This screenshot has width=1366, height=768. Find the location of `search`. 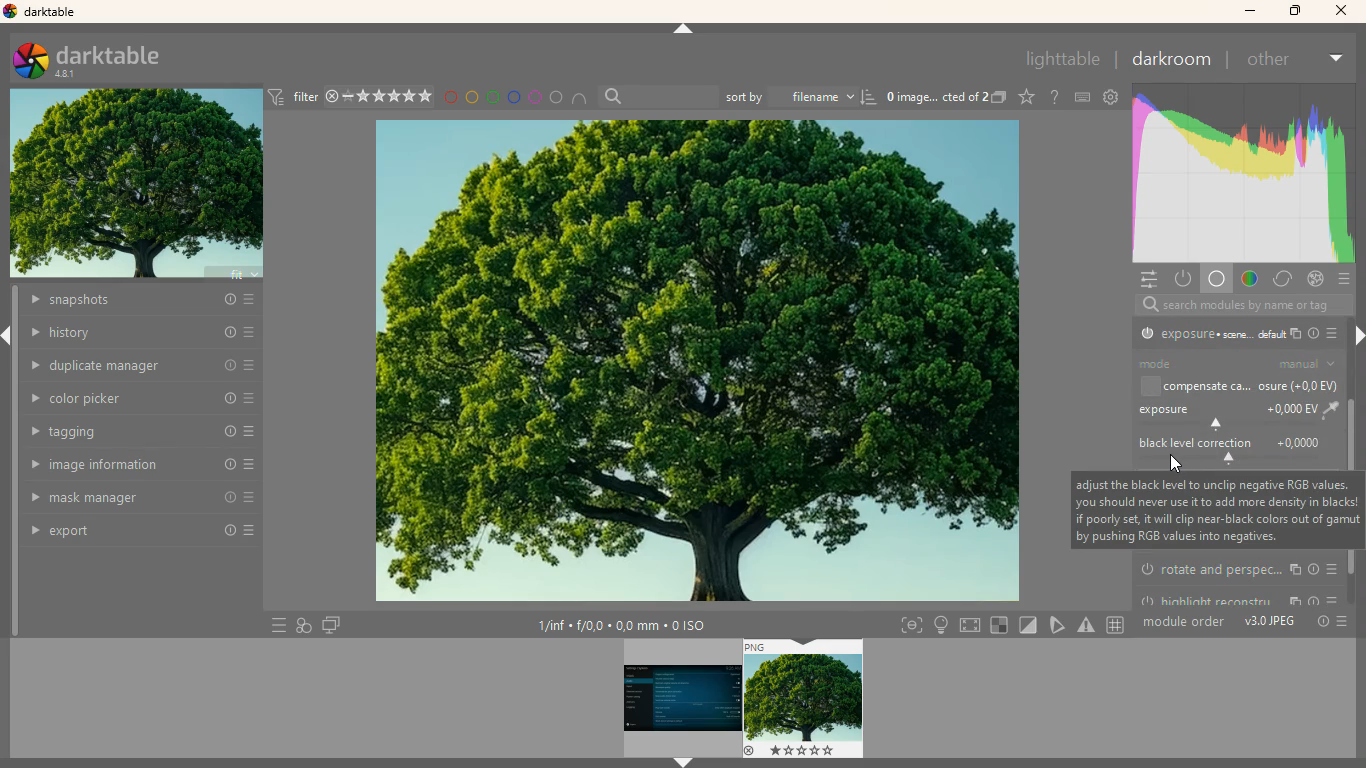

search is located at coordinates (1238, 304).